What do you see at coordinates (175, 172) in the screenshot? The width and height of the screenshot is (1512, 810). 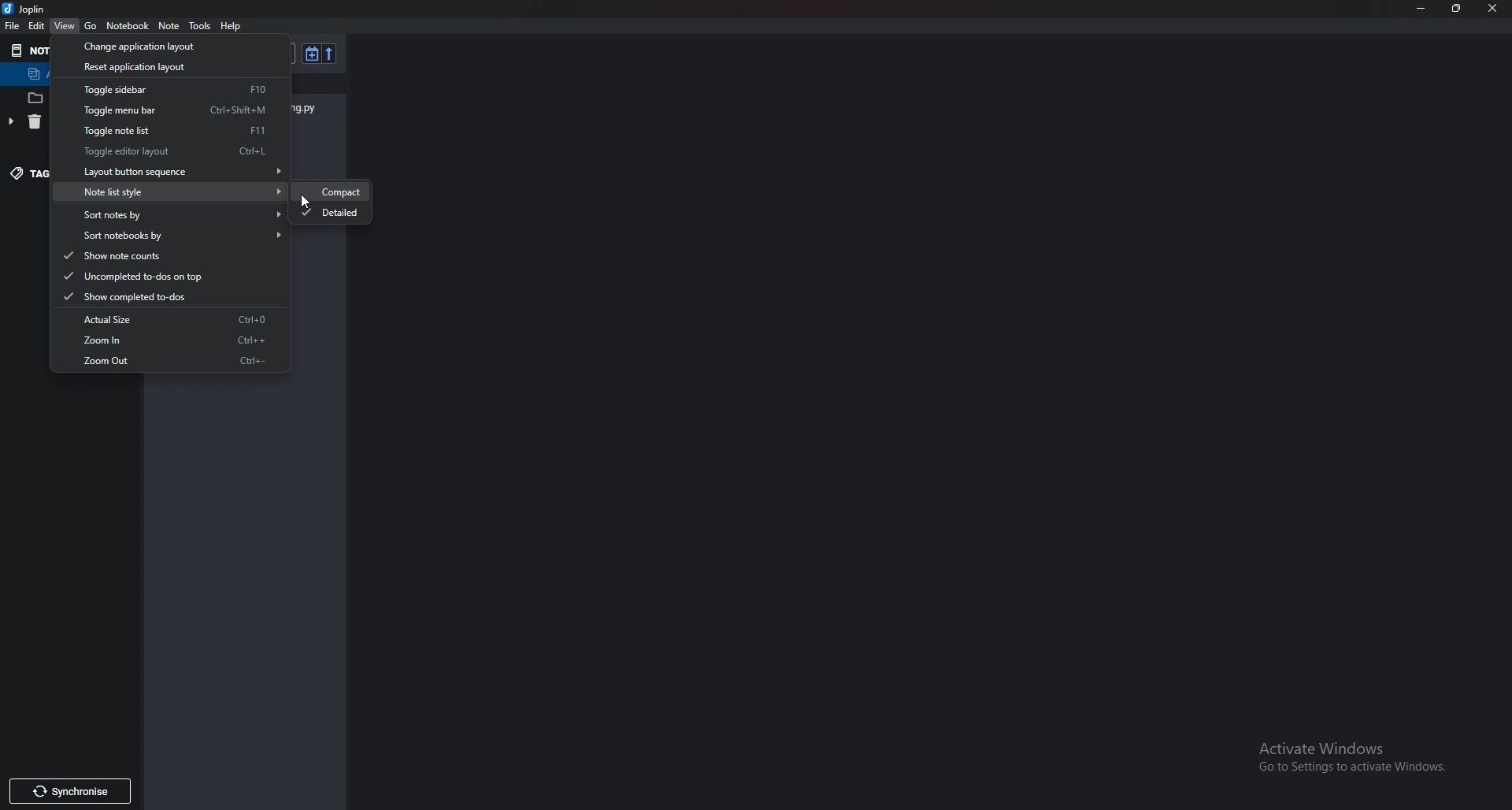 I see `Layout button sequence` at bounding box center [175, 172].